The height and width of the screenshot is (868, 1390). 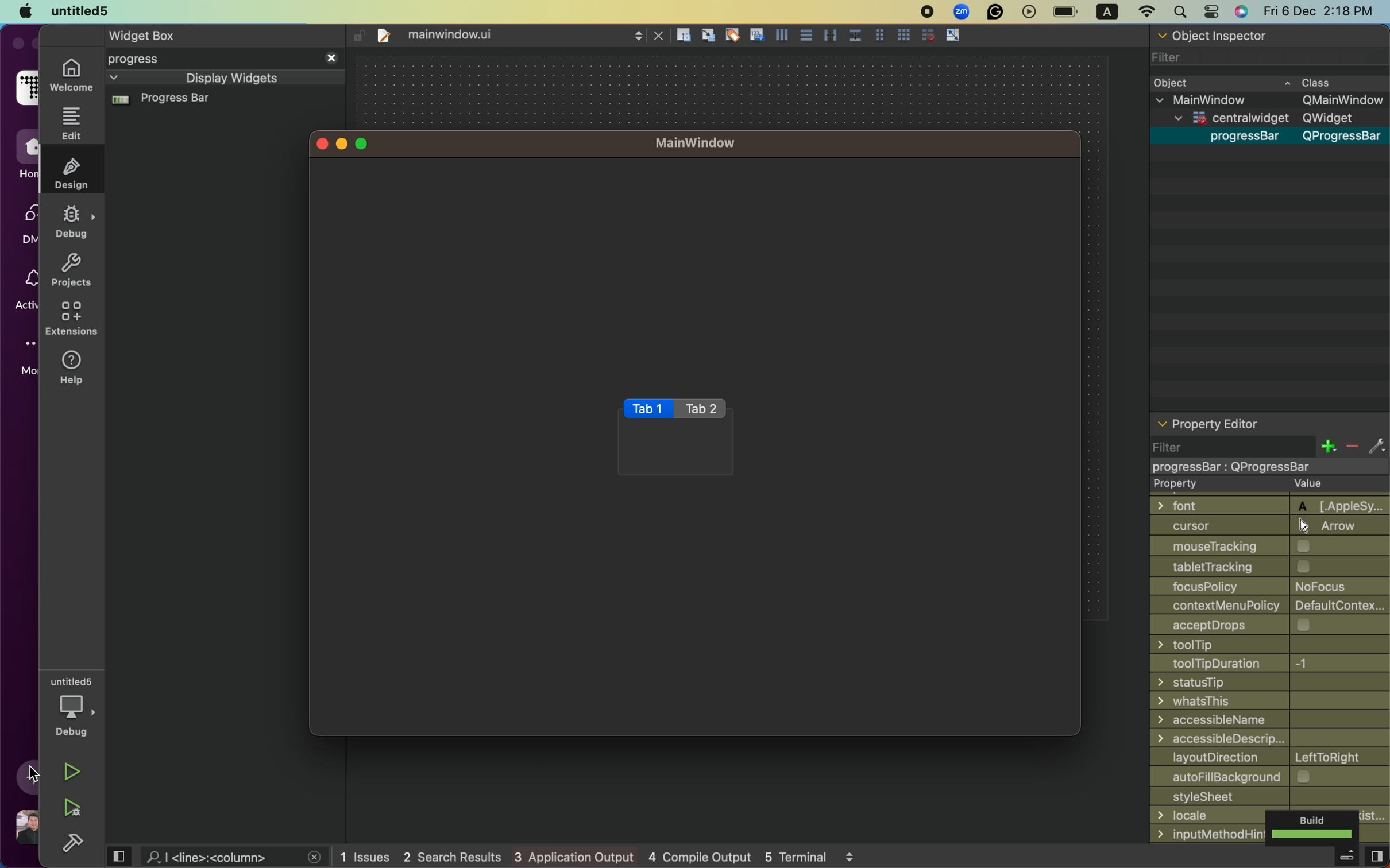 What do you see at coordinates (1322, 10) in the screenshot?
I see `date and time` at bounding box center [1322, 10].